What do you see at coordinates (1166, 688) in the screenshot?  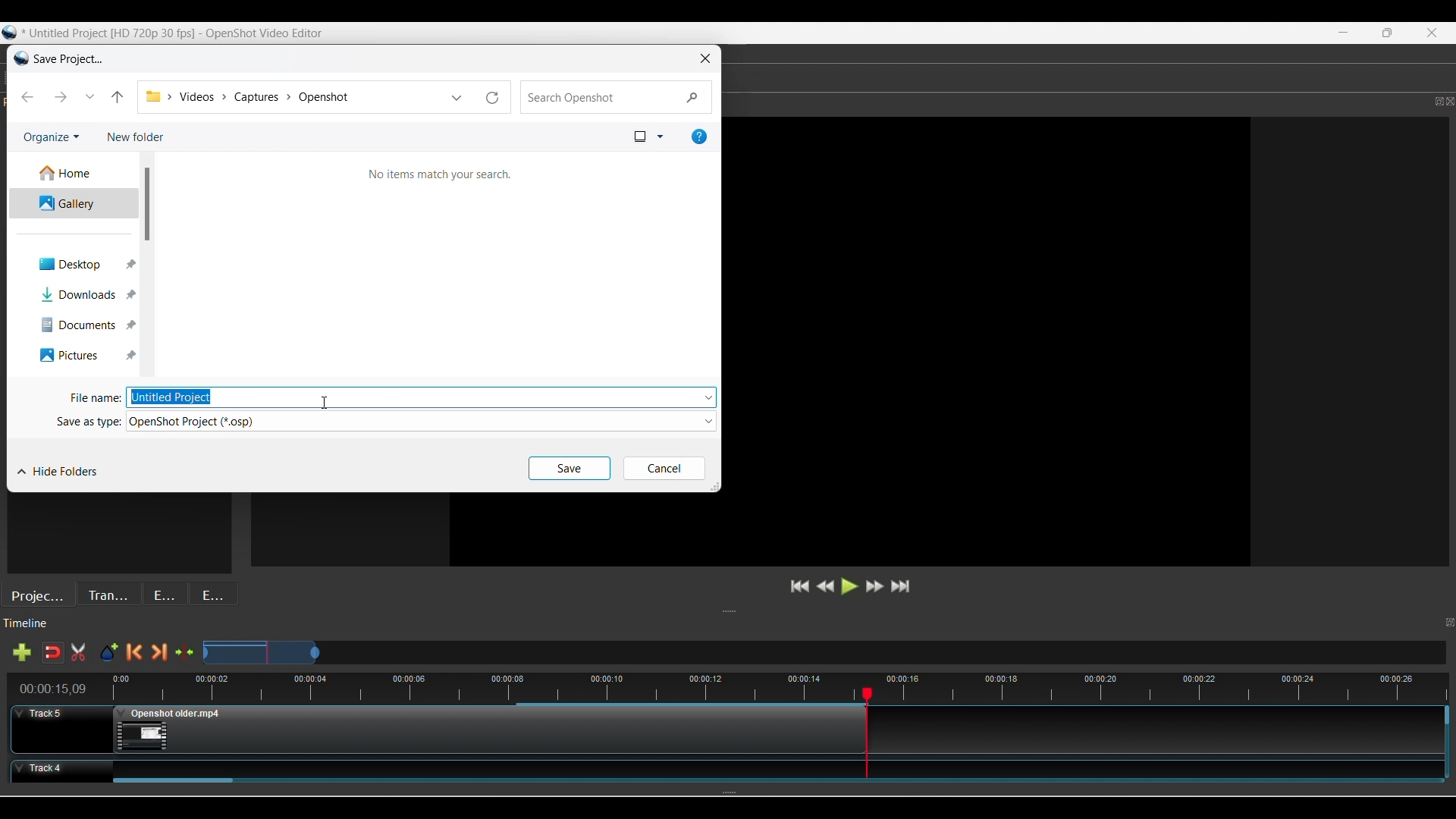 I see `time stamps for all frames` at bounding box center [1166, 688].